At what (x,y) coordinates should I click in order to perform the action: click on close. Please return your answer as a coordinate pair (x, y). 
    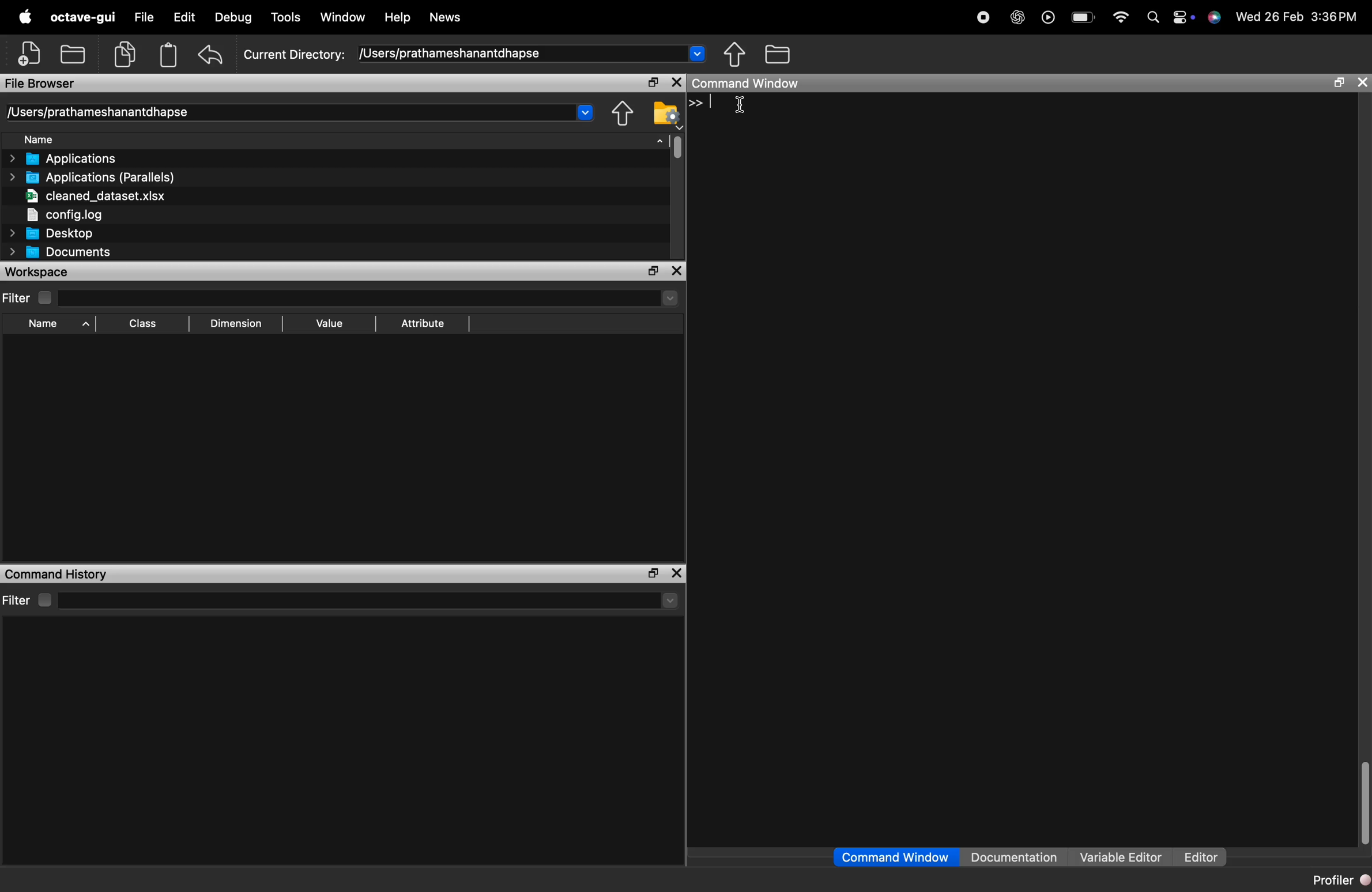
    Looking at the image, I should click on (1360, 83).